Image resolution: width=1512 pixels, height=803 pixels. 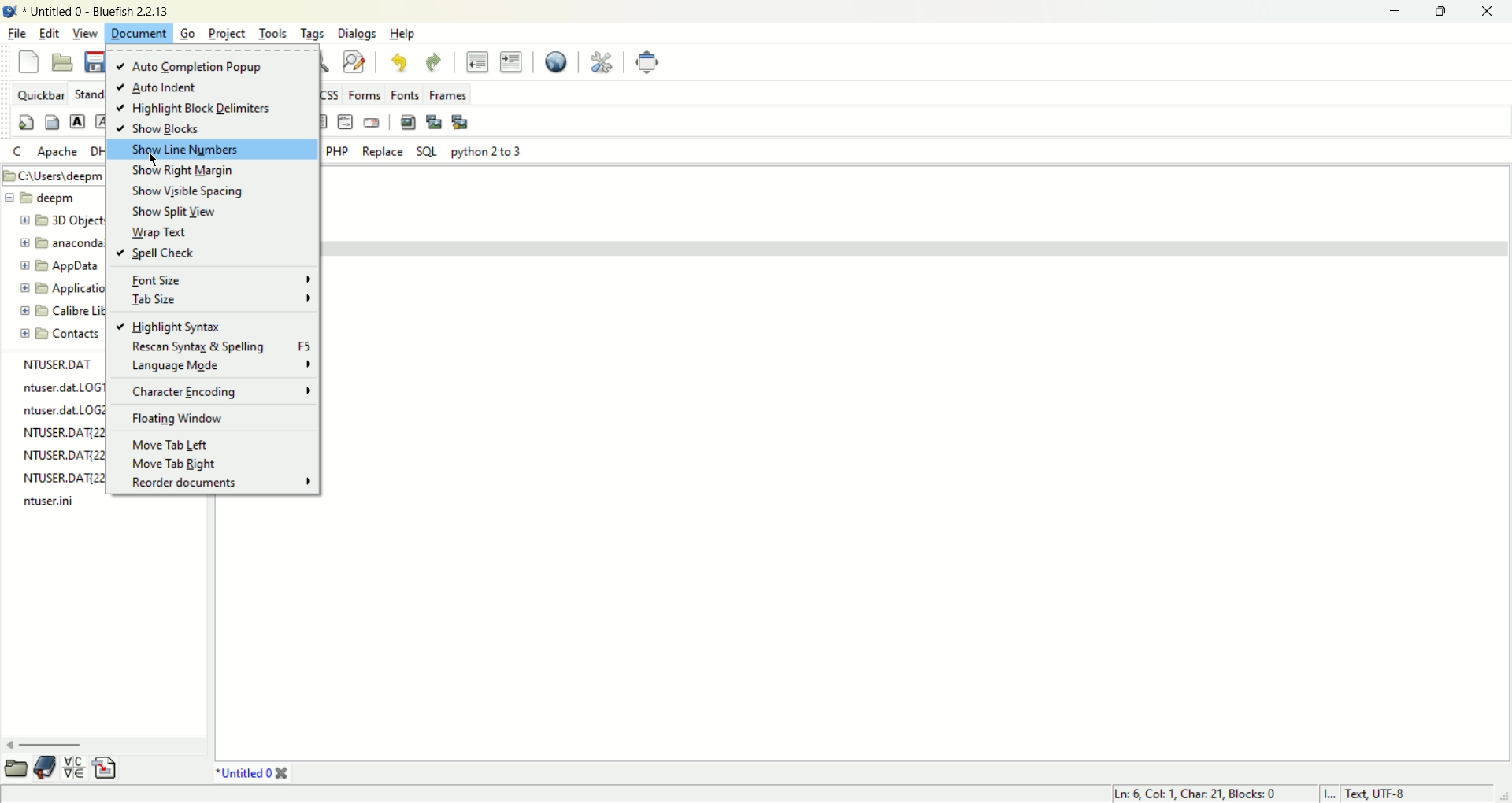 What do you see at coordinates (57, 363) in the screenshot?
I see `NTUSER.DAT` at bounding box center [57, 363].